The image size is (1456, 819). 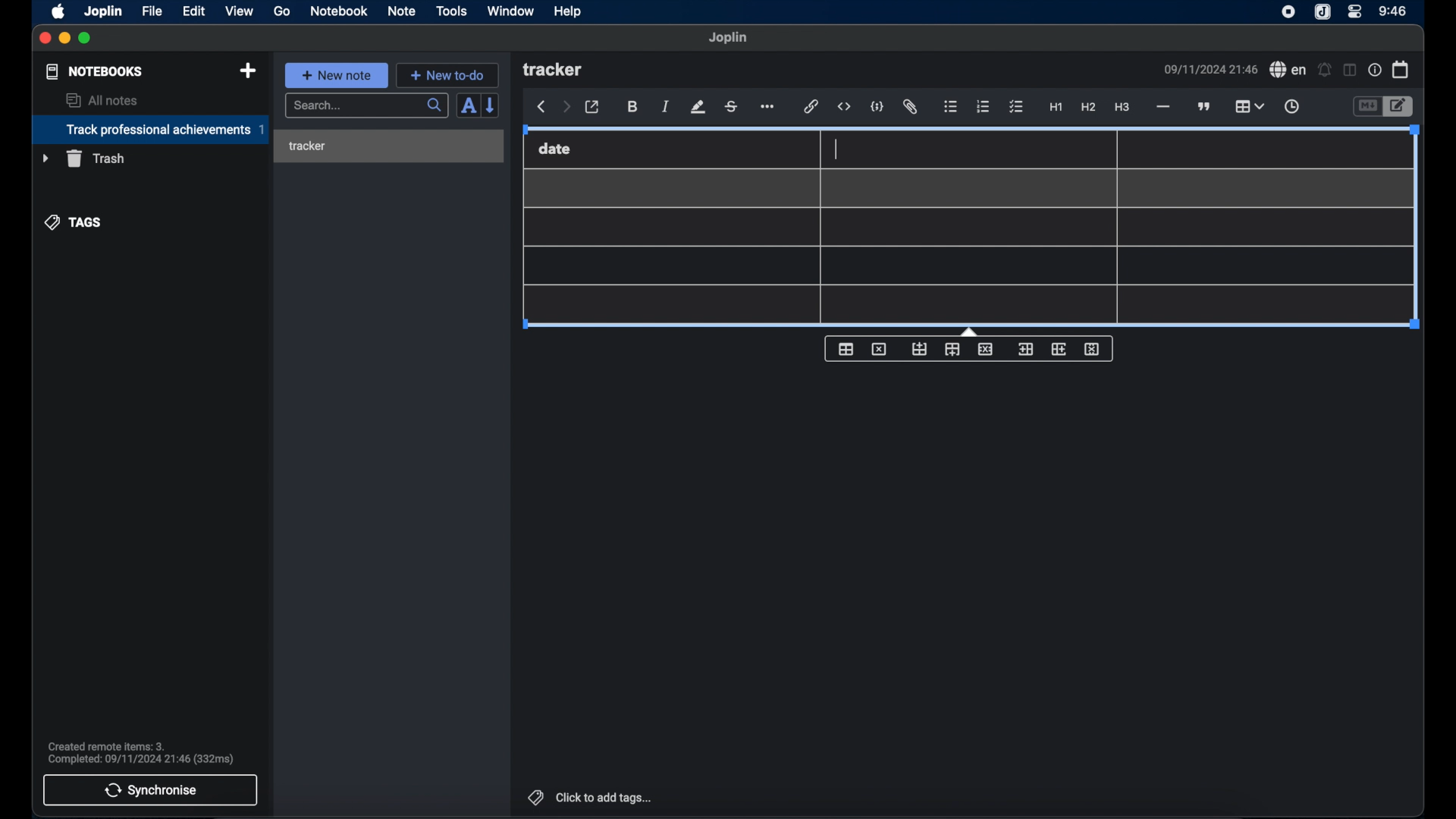 I want to click on time, so click(x=1393, y=11).